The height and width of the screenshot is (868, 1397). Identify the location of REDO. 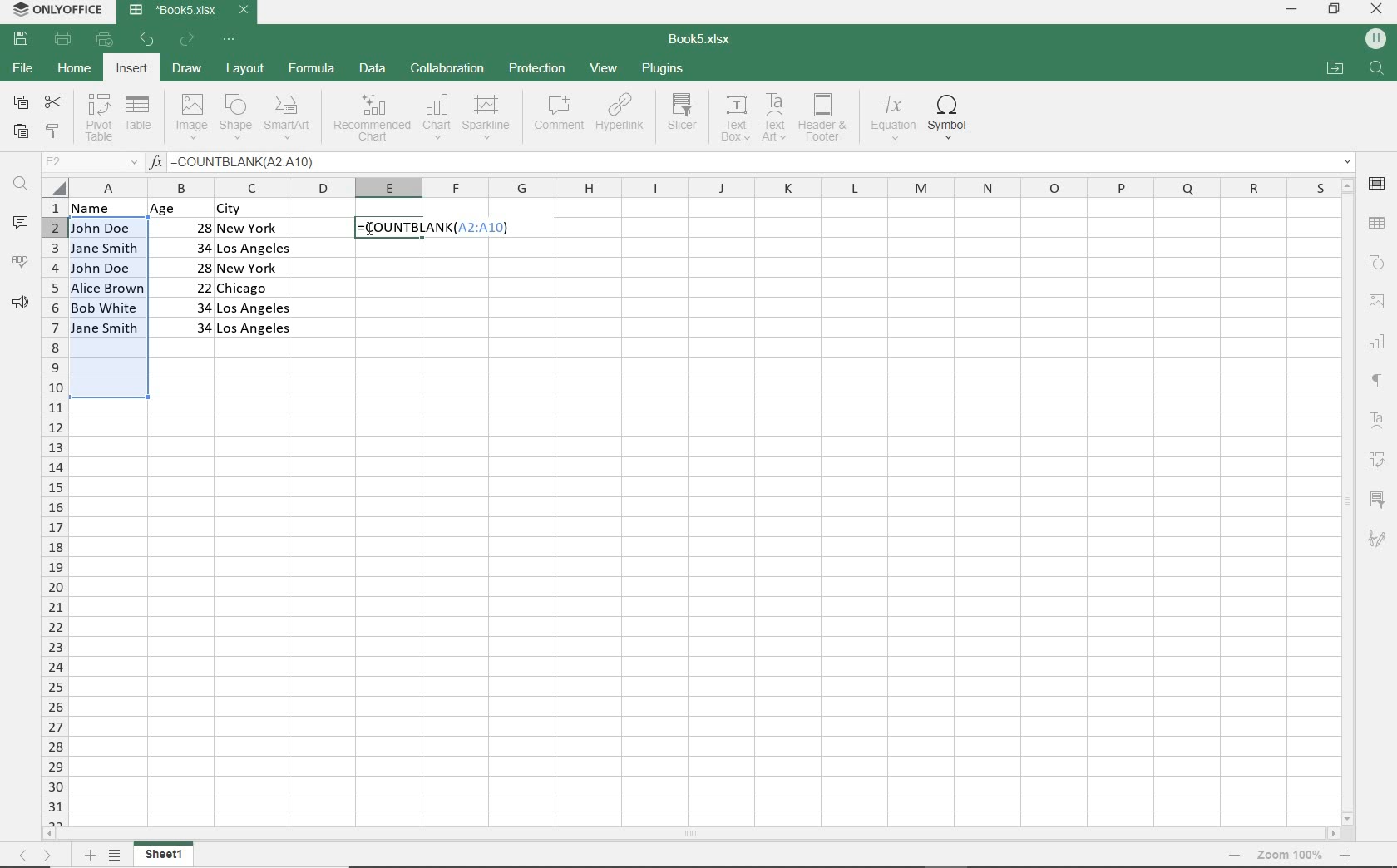
(186, 42).